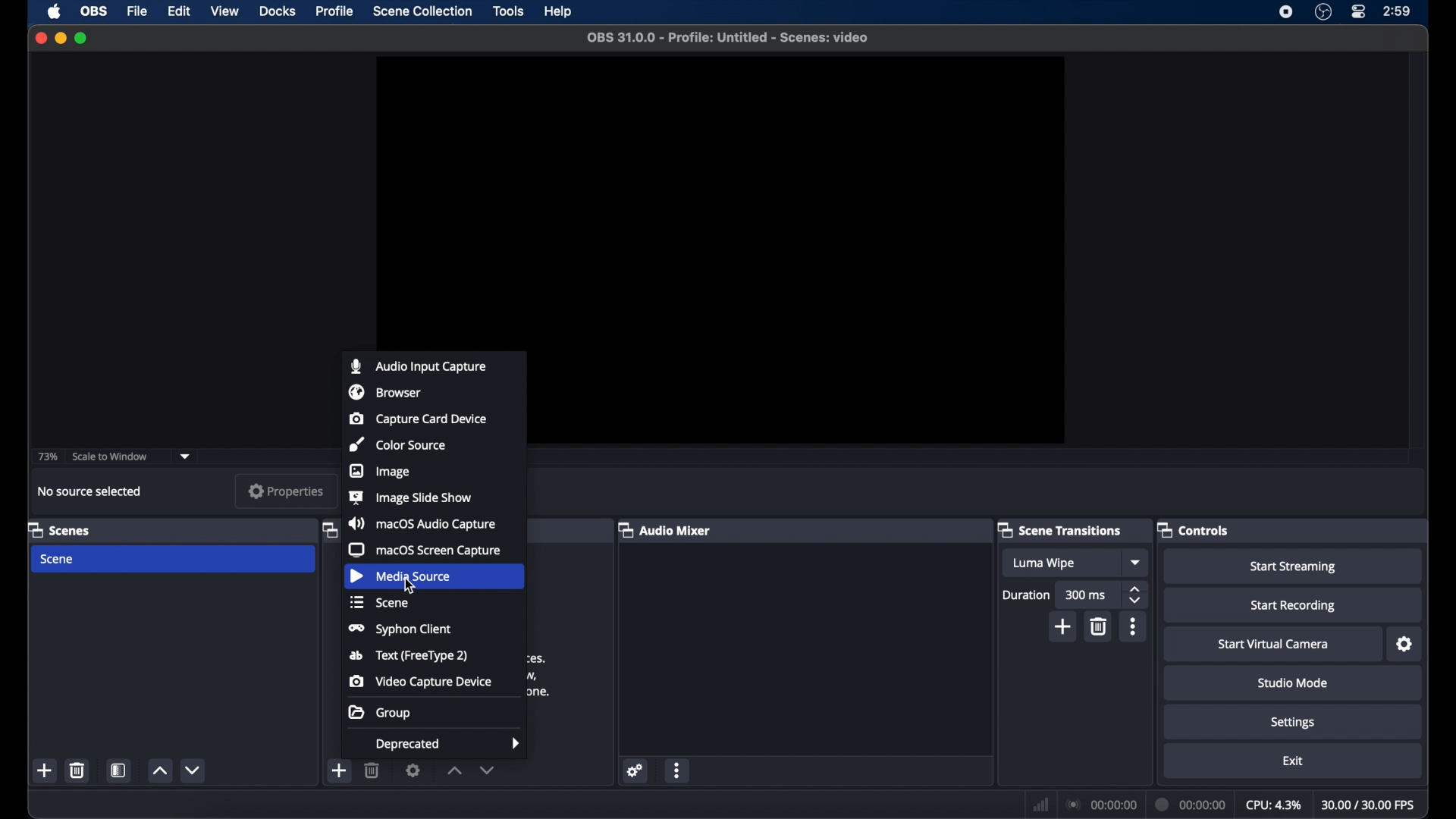 Image resolution: width=1456 pixels, height=819 pixels. What do you see at coordinates (1045, 563) in the screenshot?
I see `luma wipe` at bounding box center [1045, 563].